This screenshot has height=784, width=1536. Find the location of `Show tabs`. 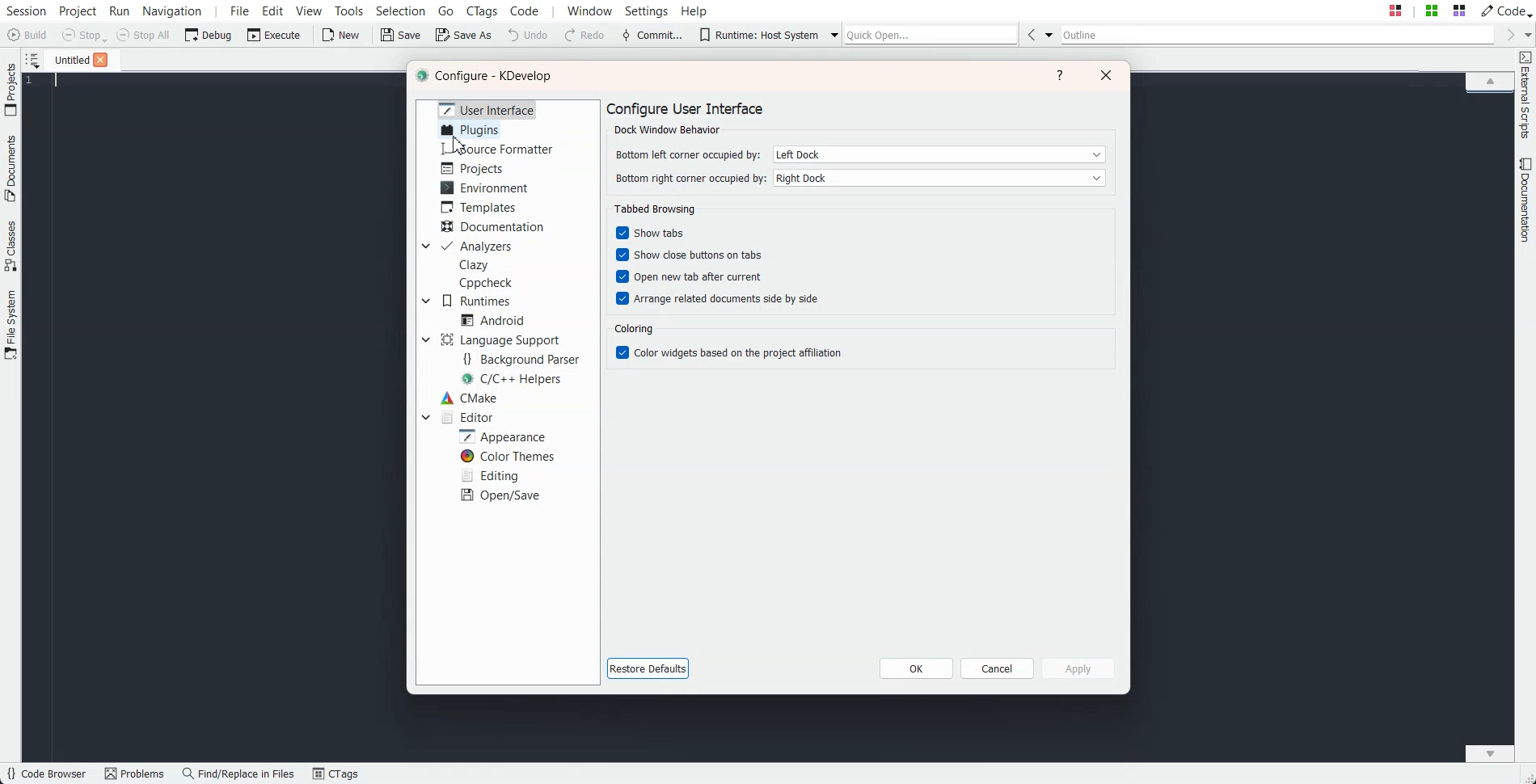

Show tabs is located at coordinates (652, 233).